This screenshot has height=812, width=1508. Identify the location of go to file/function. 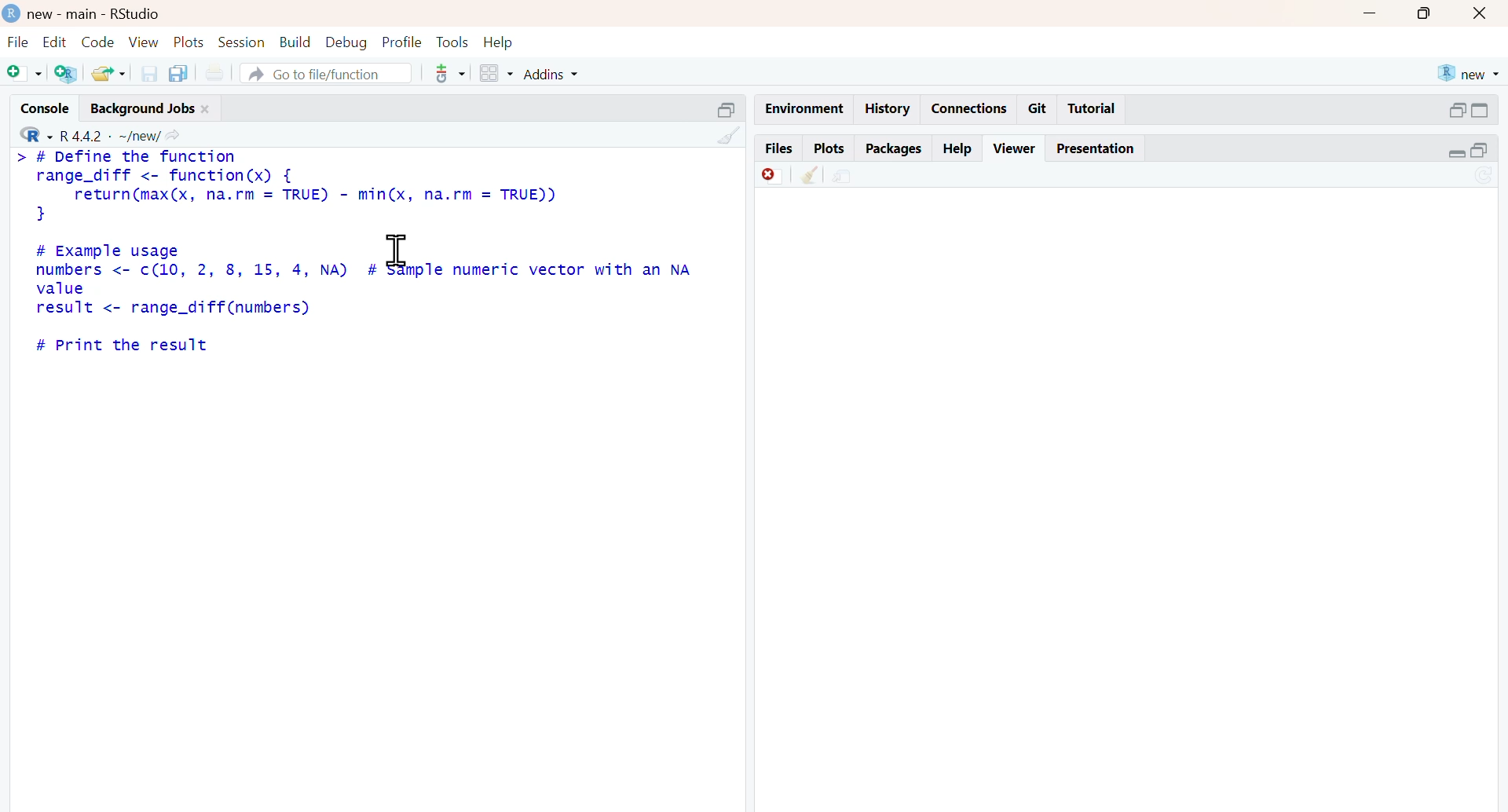
(327, 75).